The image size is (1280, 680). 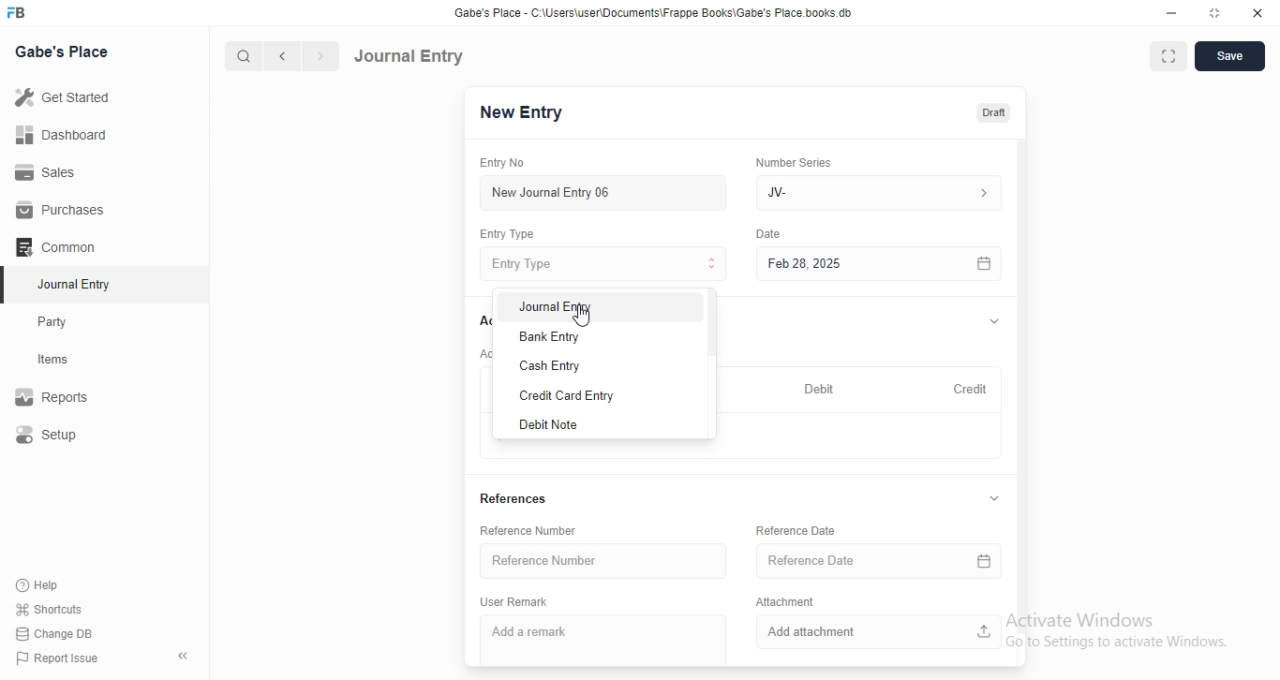 What do you see at coordinates (771, 236) in the screenshot?
I see `` at bounding box center [771, 236].